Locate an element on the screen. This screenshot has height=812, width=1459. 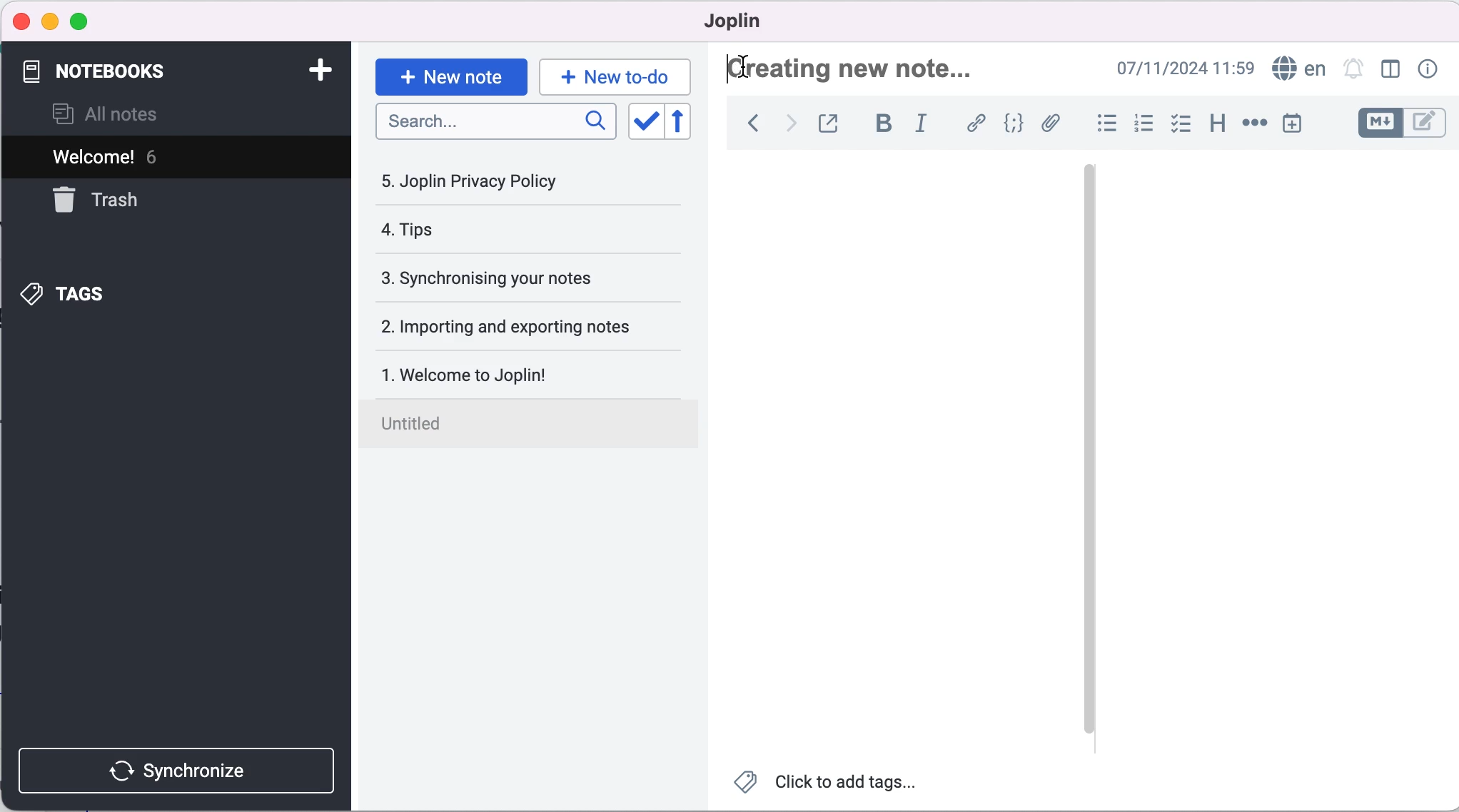
joplin is located at coordinates (732, 21).